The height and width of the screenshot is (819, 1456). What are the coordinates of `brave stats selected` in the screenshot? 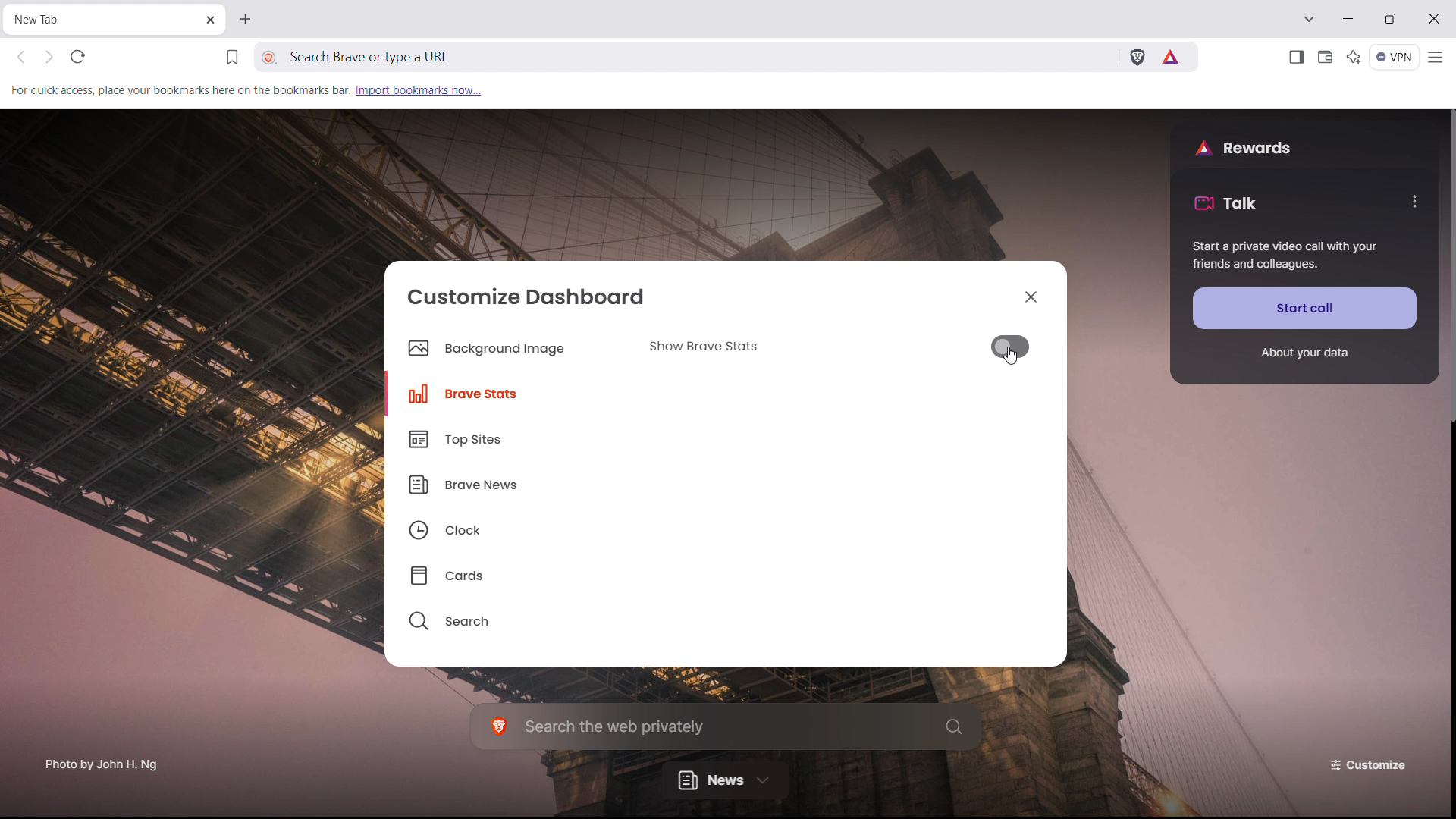 It's located at (497, 393).